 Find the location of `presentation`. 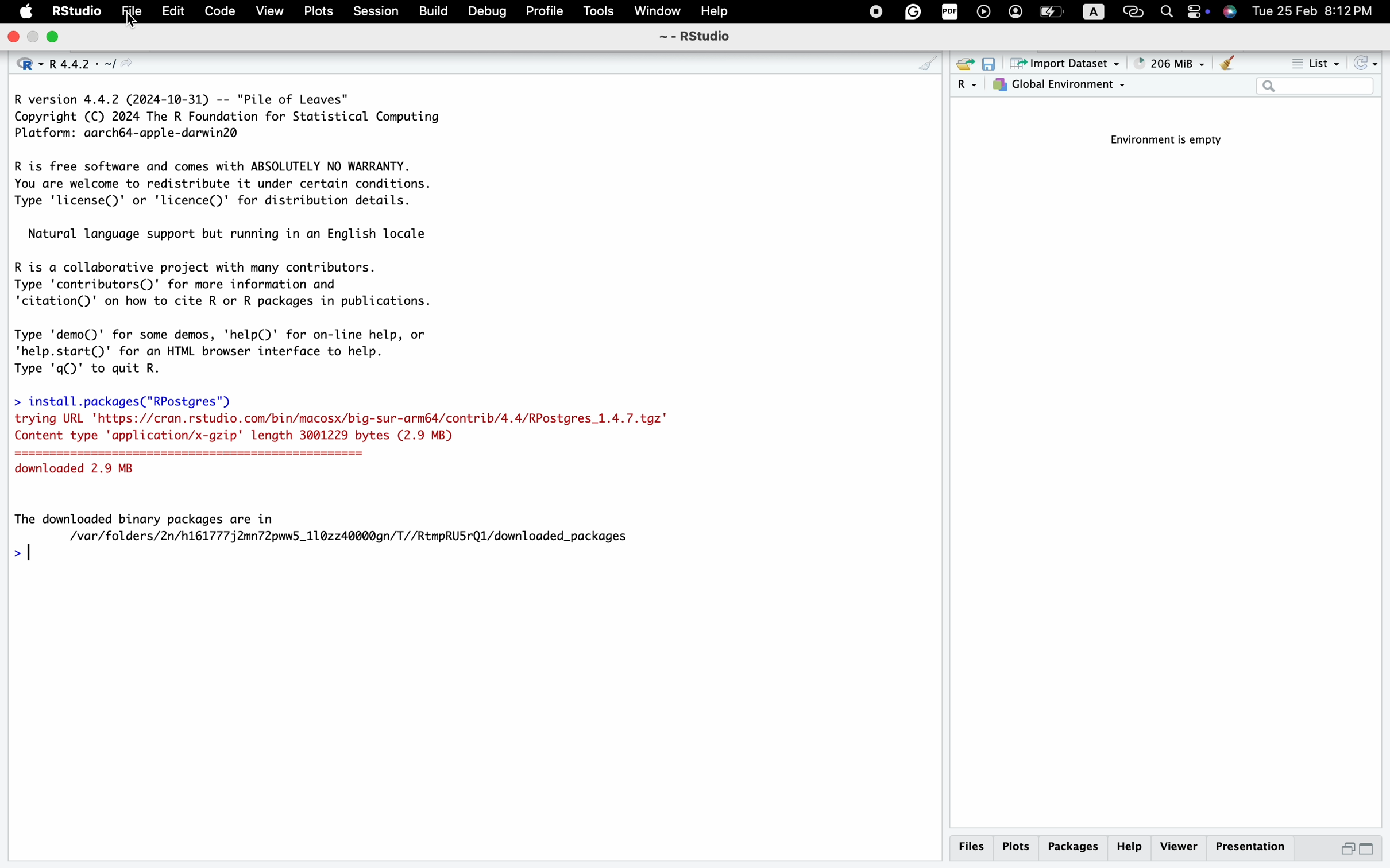

presentation is located at coordinates (1256, 850).